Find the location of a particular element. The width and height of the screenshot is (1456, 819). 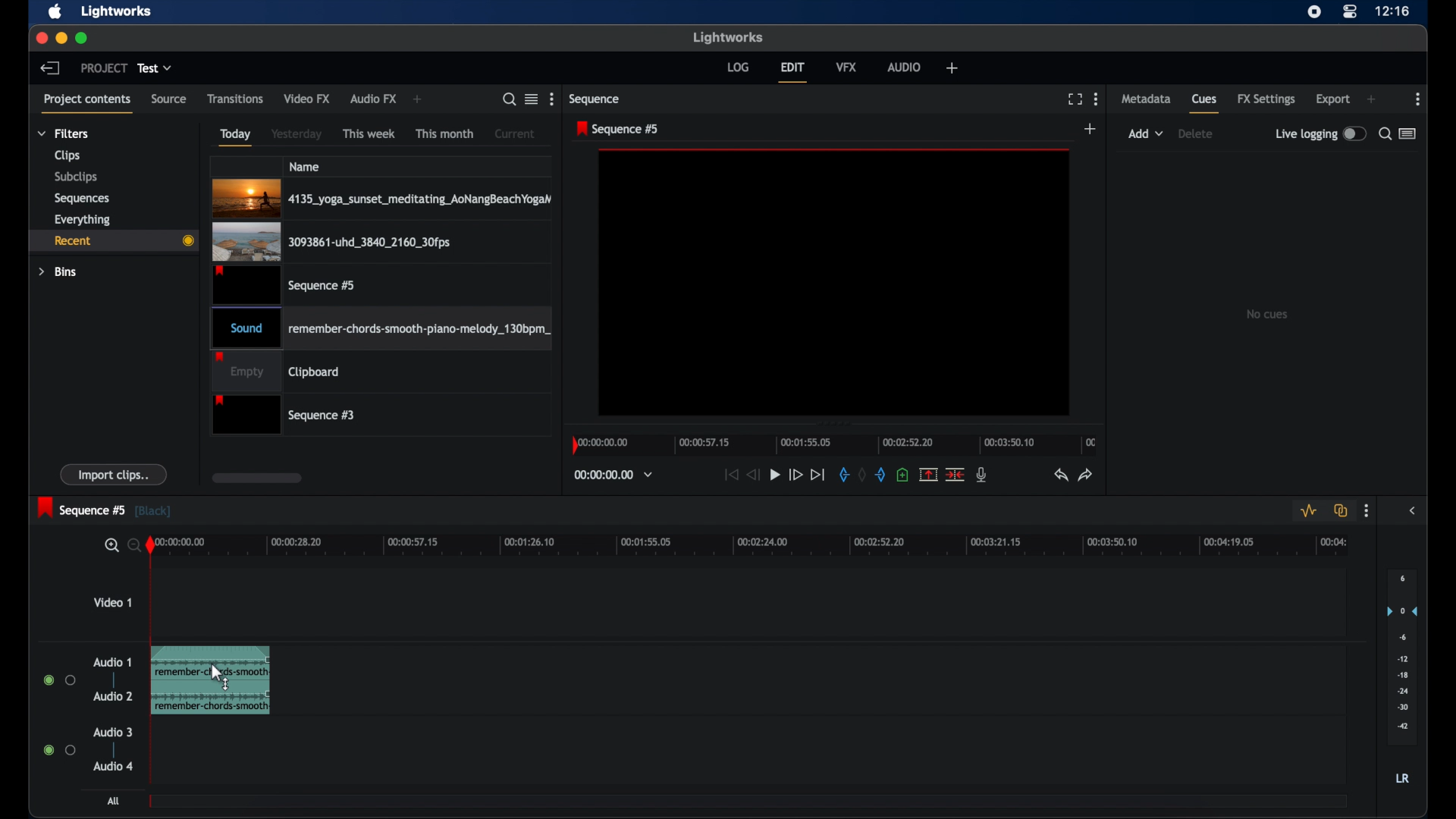

project is located at coordinates (104, 67).